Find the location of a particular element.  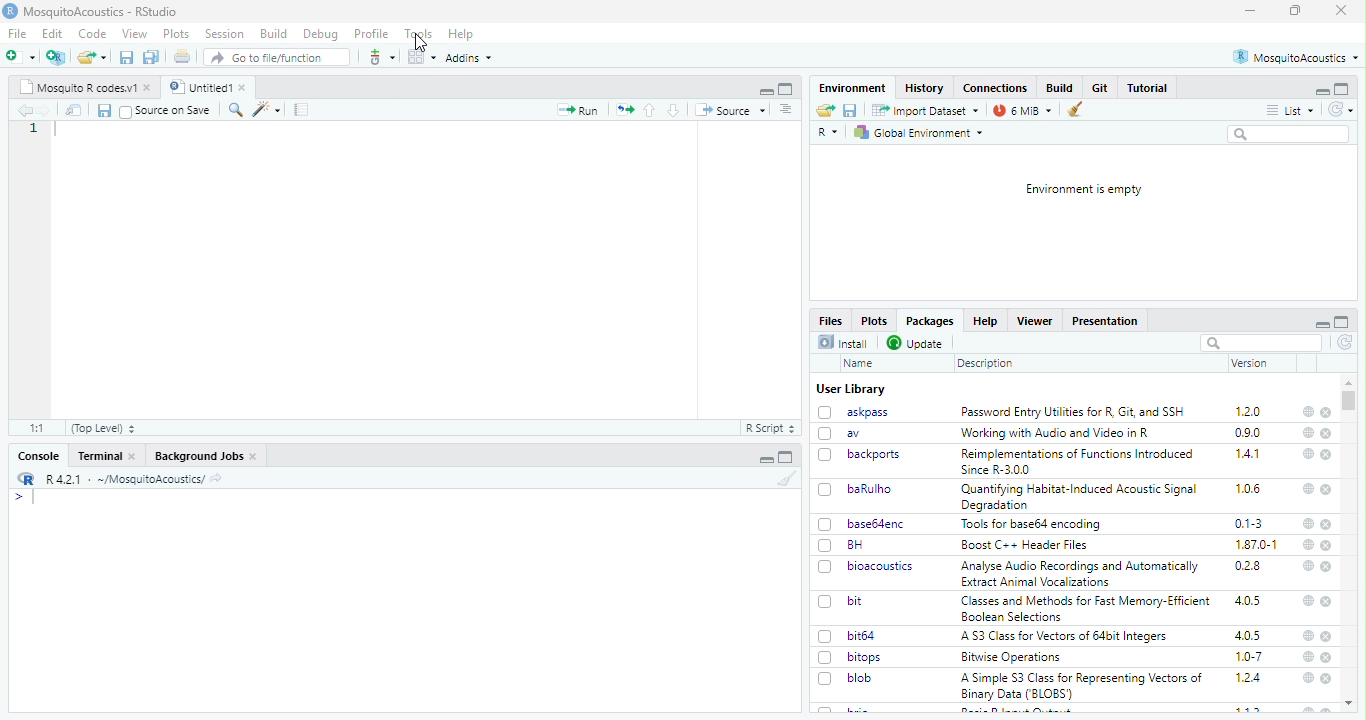

maximise is located at coordinates (1342, 322).